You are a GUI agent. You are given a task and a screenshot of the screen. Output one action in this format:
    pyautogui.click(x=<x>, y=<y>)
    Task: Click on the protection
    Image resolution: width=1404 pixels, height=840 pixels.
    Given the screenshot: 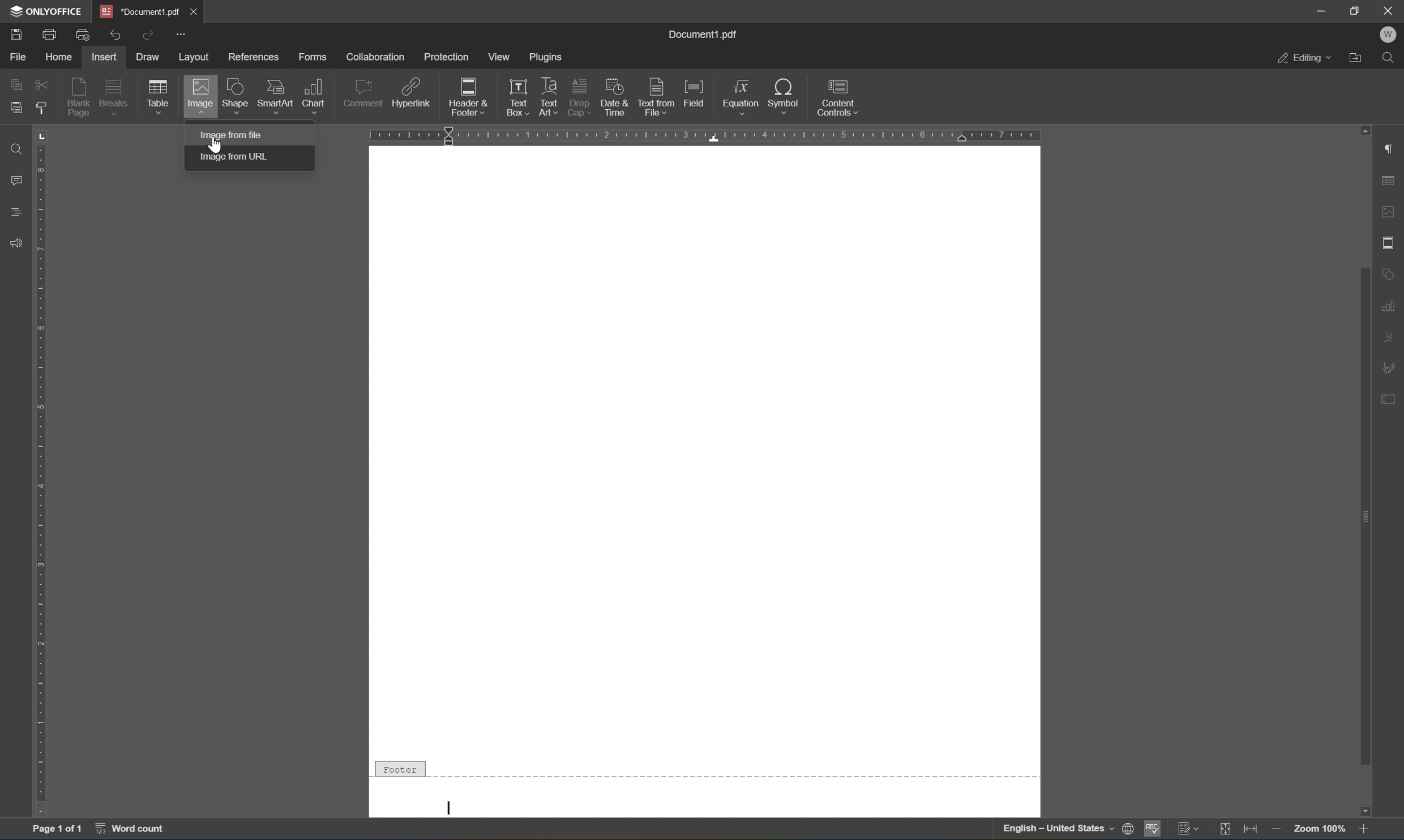 What is the action you would take?
    pyautogui.click(x=447, y=58)
    